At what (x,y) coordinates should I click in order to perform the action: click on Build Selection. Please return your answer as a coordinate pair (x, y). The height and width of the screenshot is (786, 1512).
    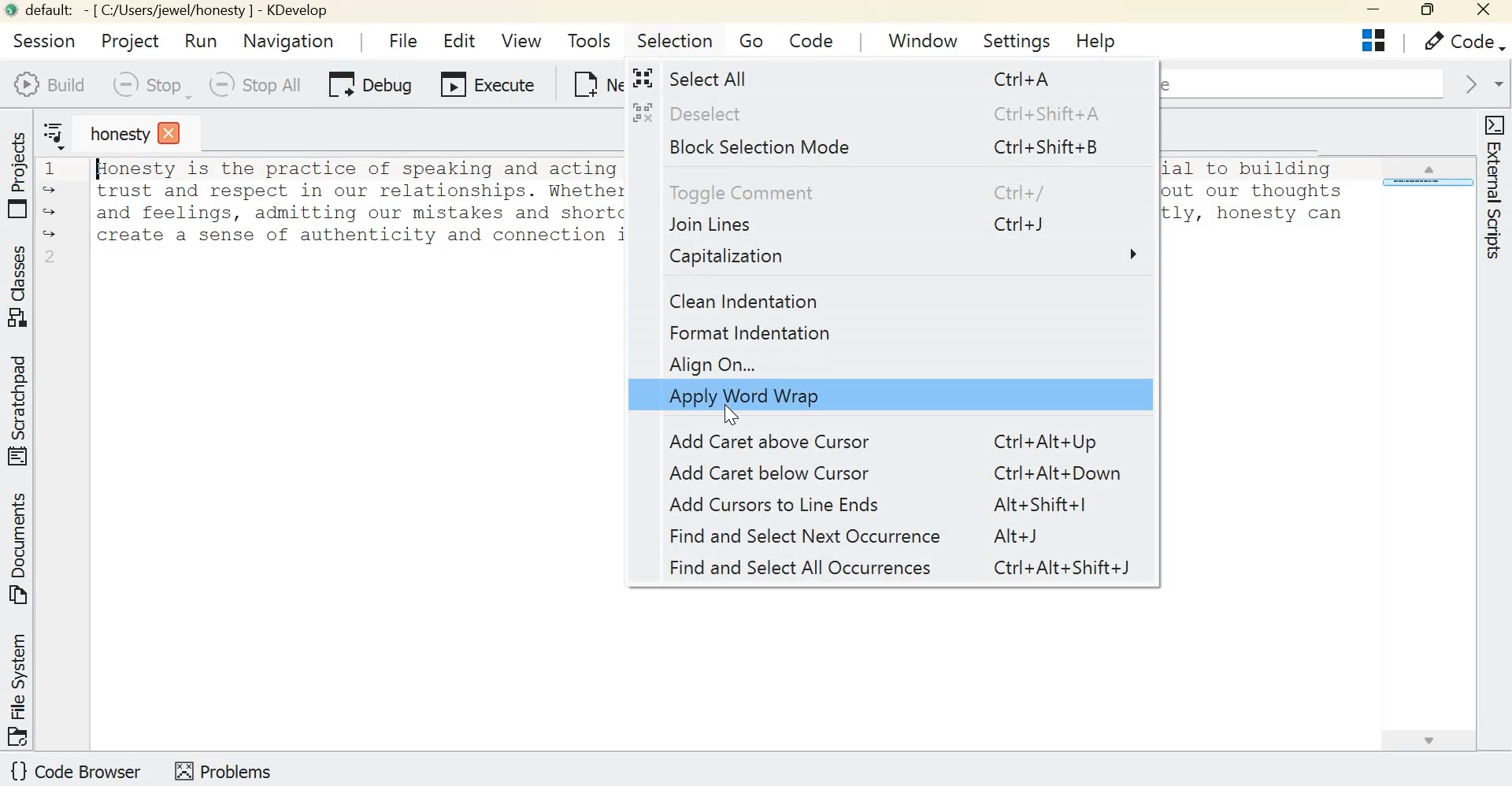
    Looking at the image, I should click on (49, 84).